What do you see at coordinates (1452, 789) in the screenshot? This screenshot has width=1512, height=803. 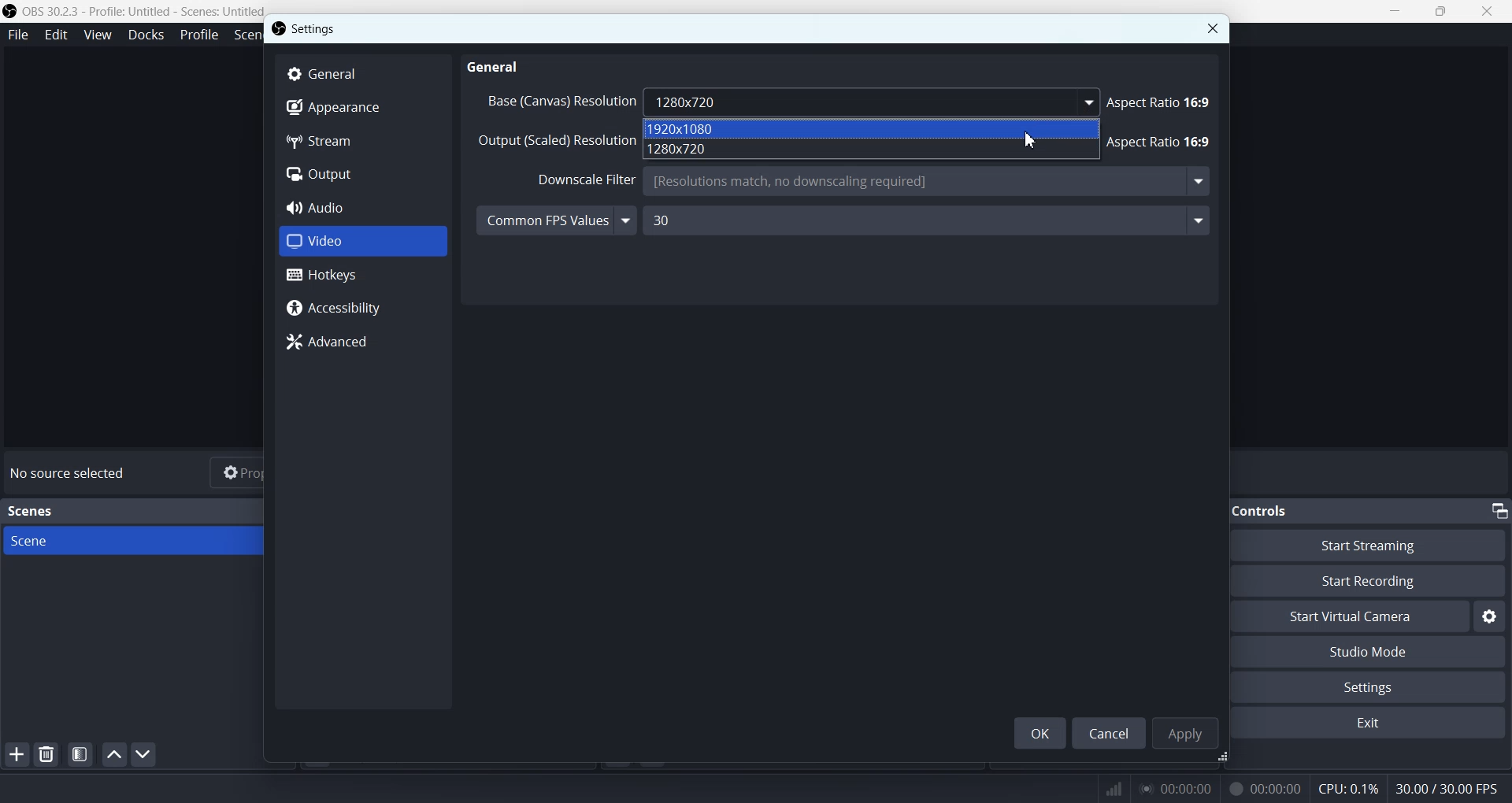 I see `Text` at bounding box center [1452, 789].